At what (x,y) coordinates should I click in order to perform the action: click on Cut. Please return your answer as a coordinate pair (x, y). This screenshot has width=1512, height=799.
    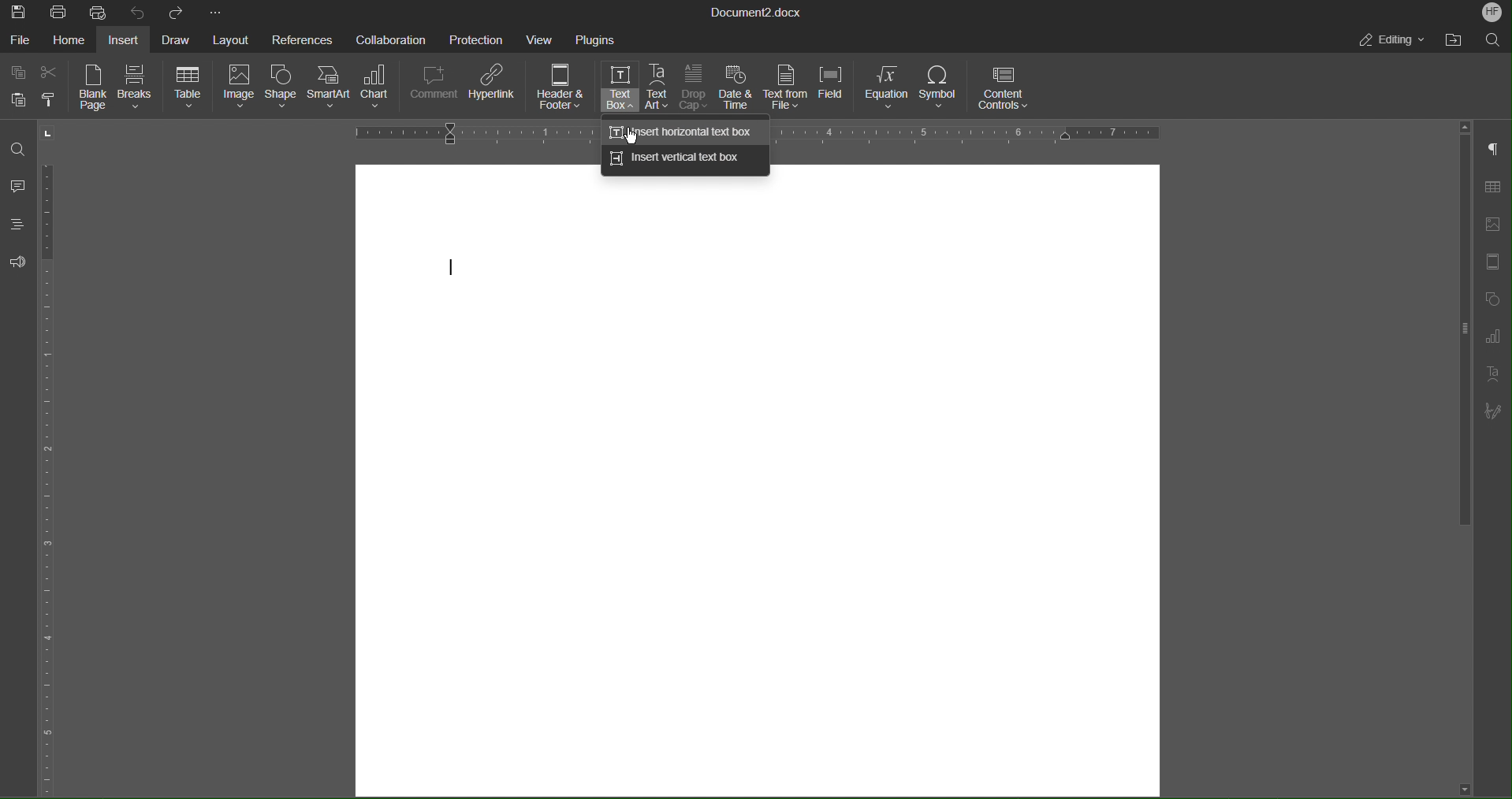
    Looking at the image, I should click on (50, 69).